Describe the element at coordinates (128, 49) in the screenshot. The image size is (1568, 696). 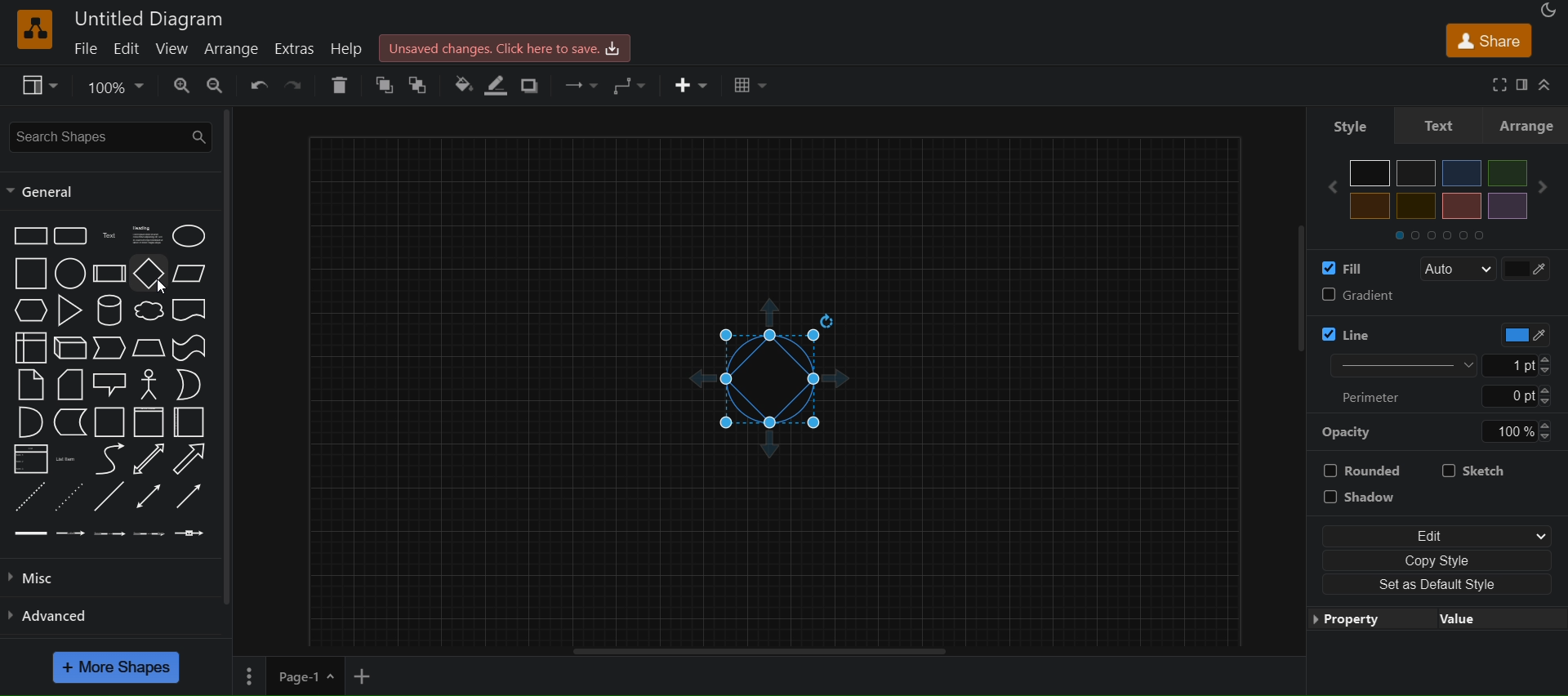
I see `edit` at that location.